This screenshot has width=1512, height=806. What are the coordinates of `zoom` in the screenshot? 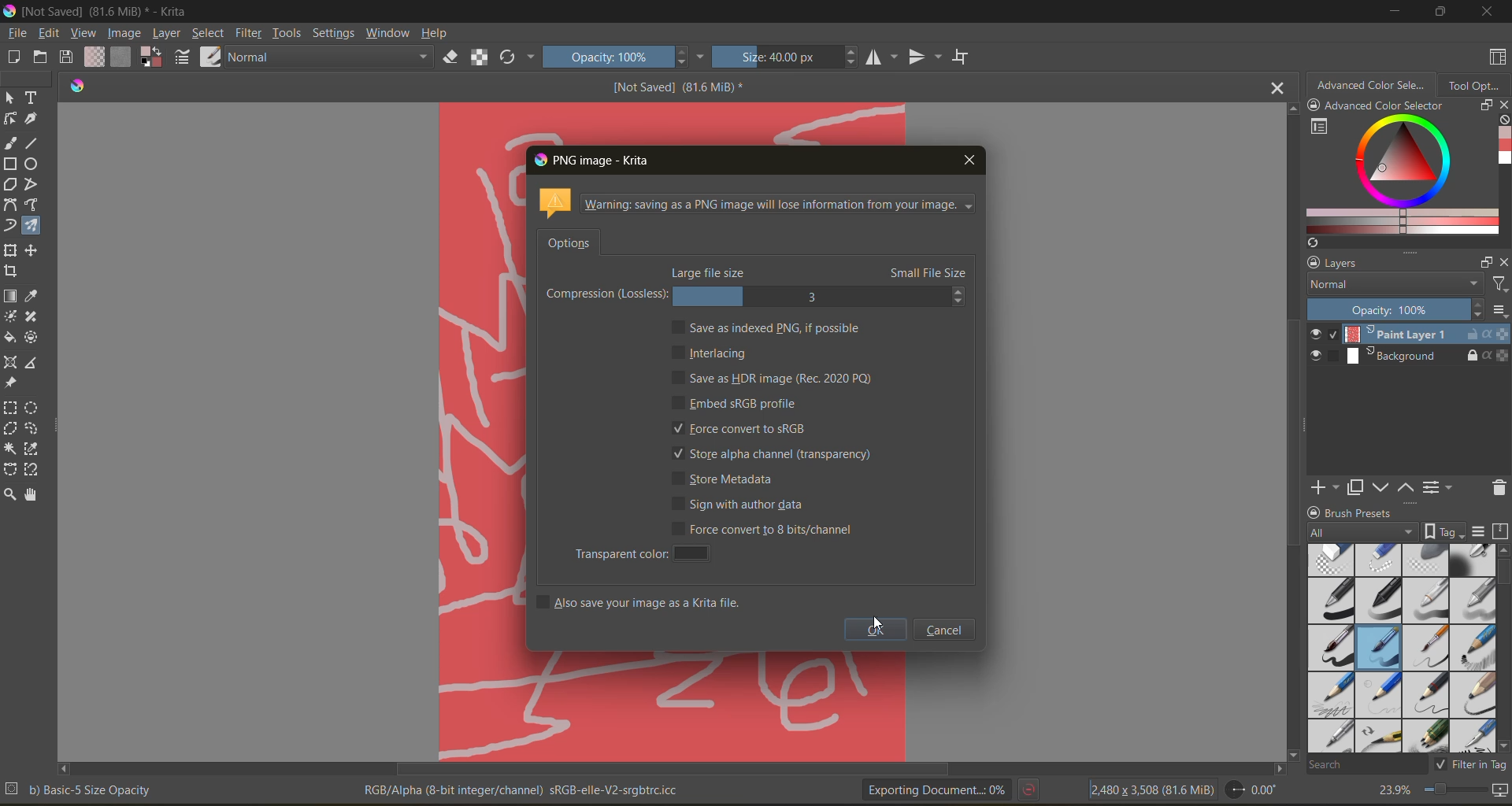 It's located at (1455, 792).